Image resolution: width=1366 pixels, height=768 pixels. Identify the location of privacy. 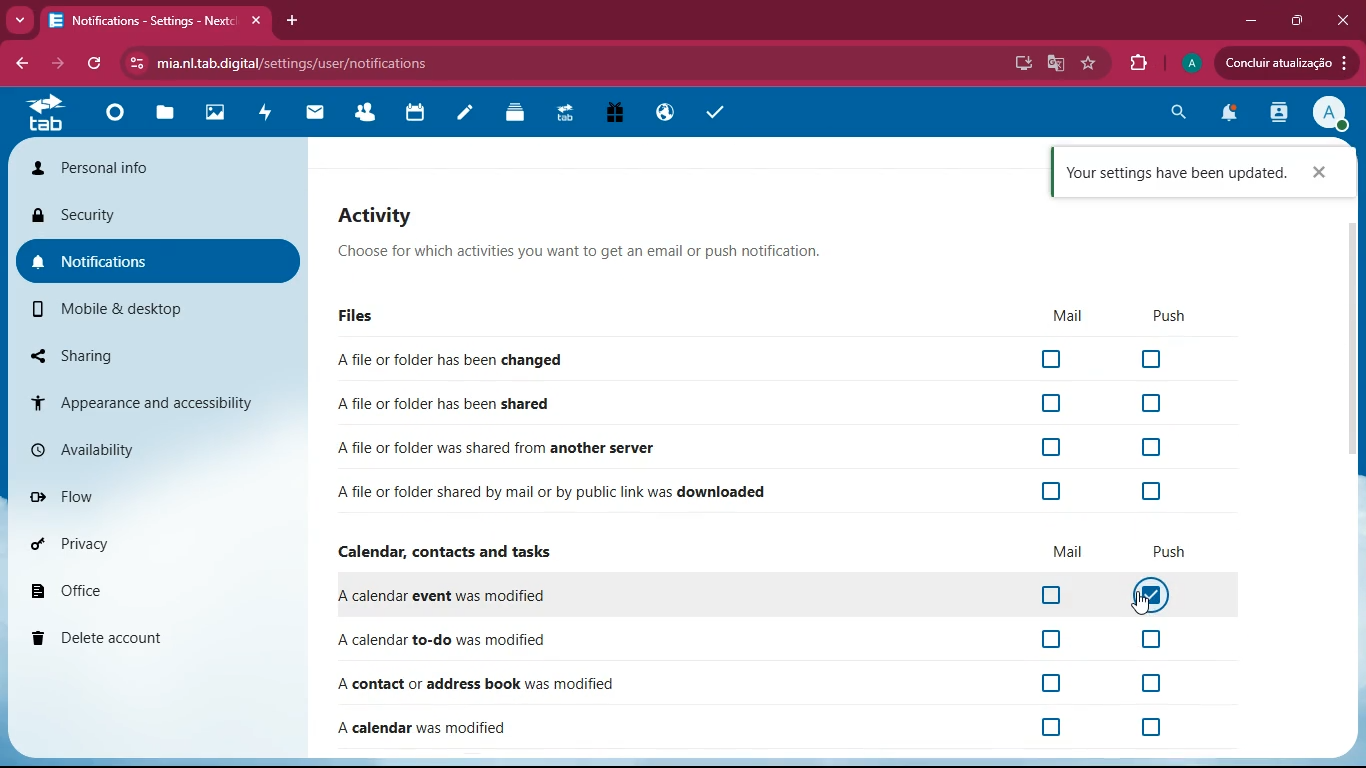
(160, 542).